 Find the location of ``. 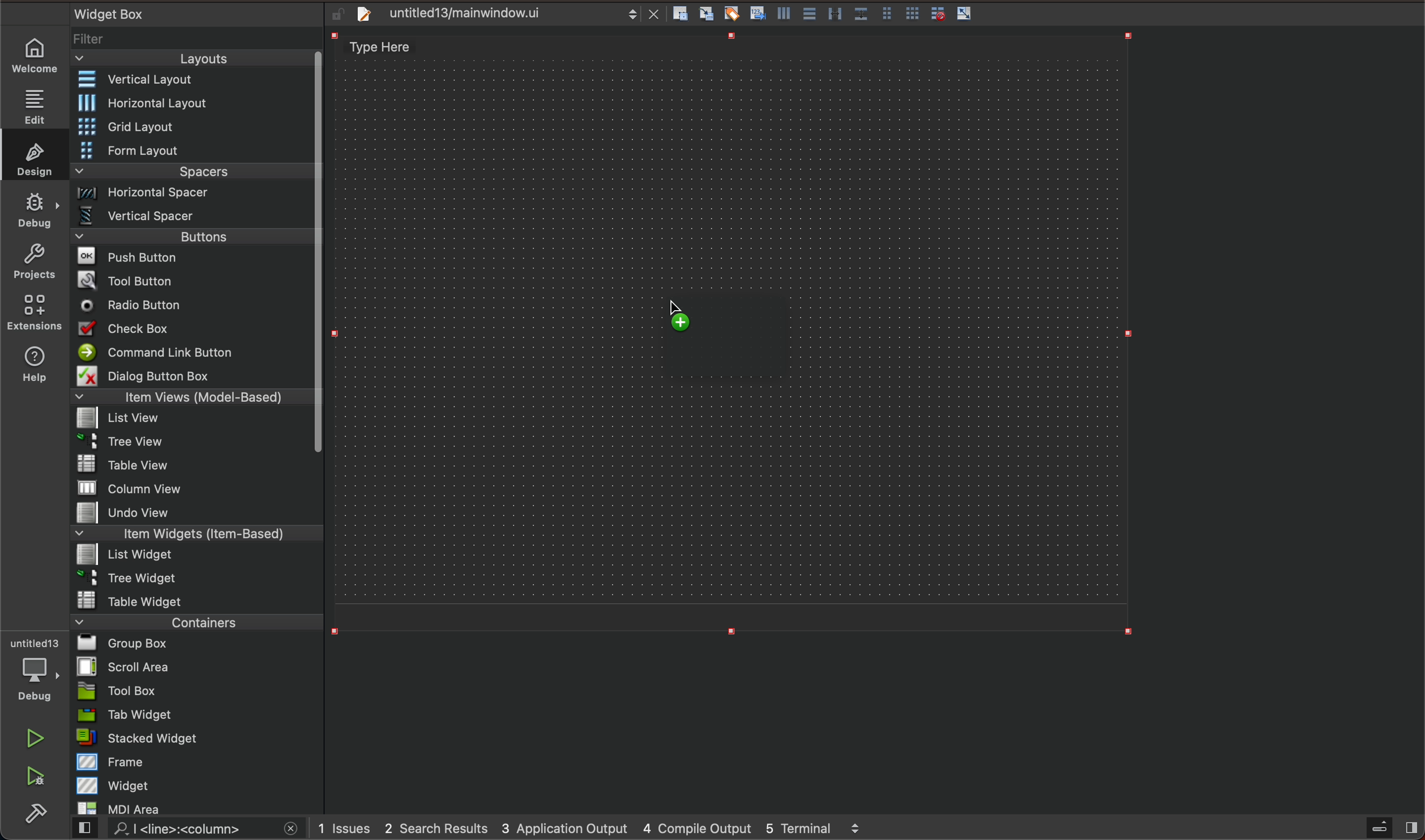

 is located at coordinates (938, 14).